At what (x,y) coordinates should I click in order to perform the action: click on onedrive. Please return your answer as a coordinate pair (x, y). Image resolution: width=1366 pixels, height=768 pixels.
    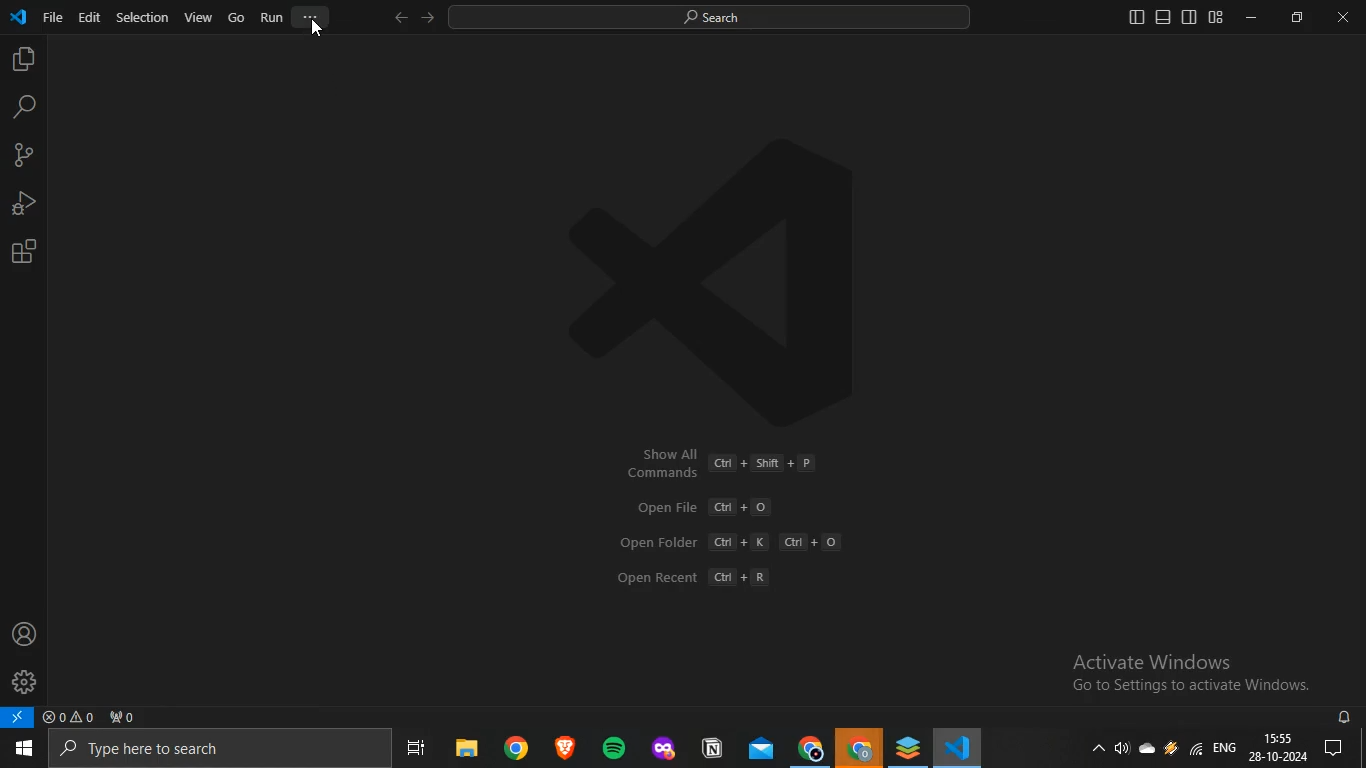
    Looking at the image, I should click on (1148, 753).